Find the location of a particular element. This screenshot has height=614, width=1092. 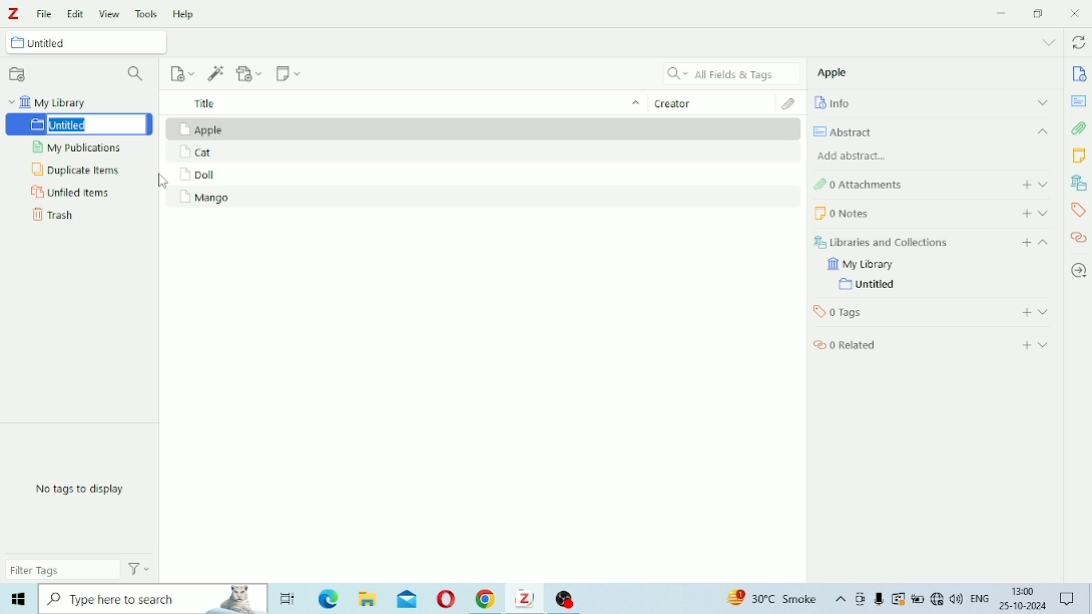

 is located at coordinates (328, 598).